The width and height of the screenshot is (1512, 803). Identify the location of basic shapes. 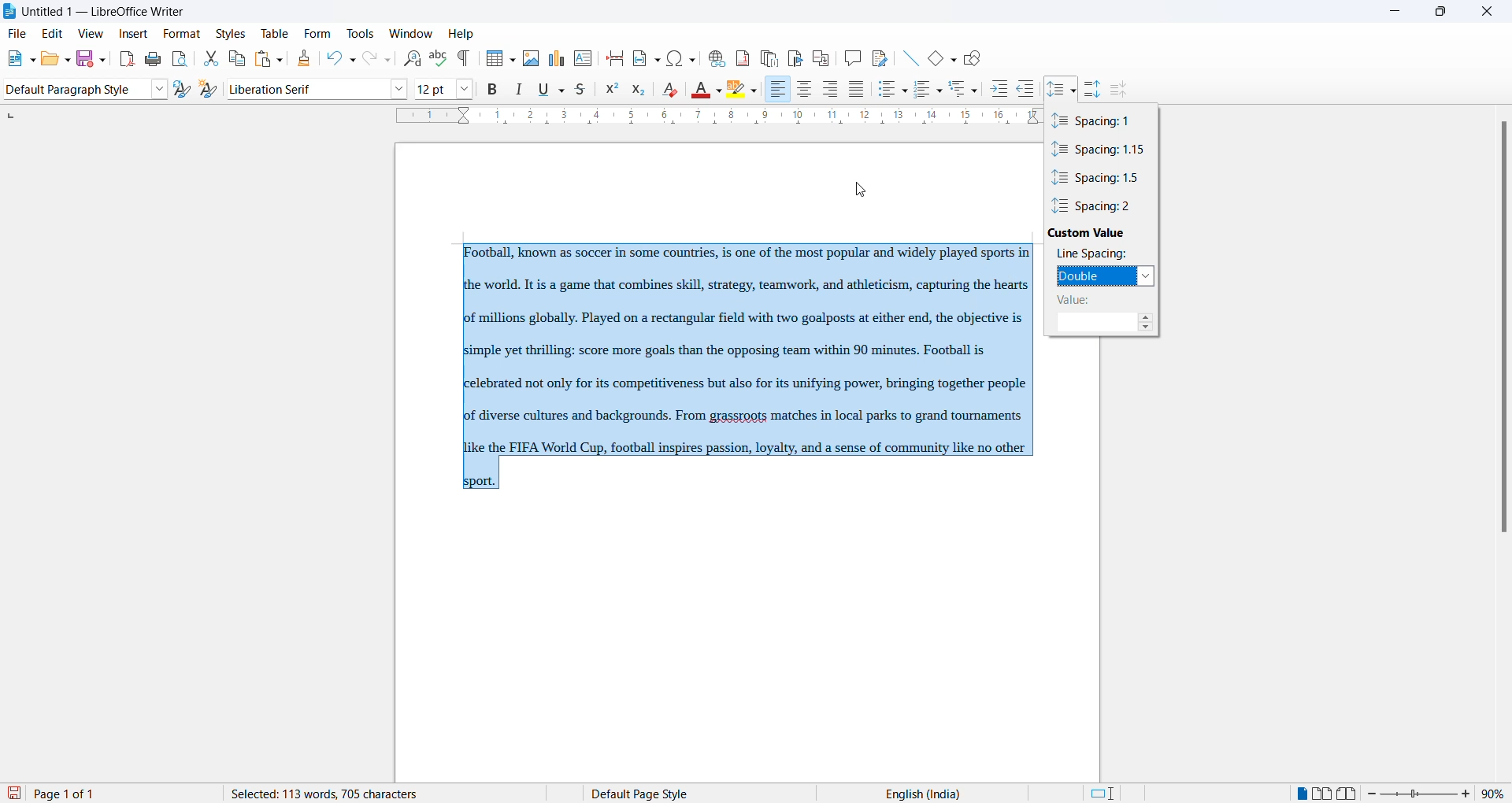
(932, 60).